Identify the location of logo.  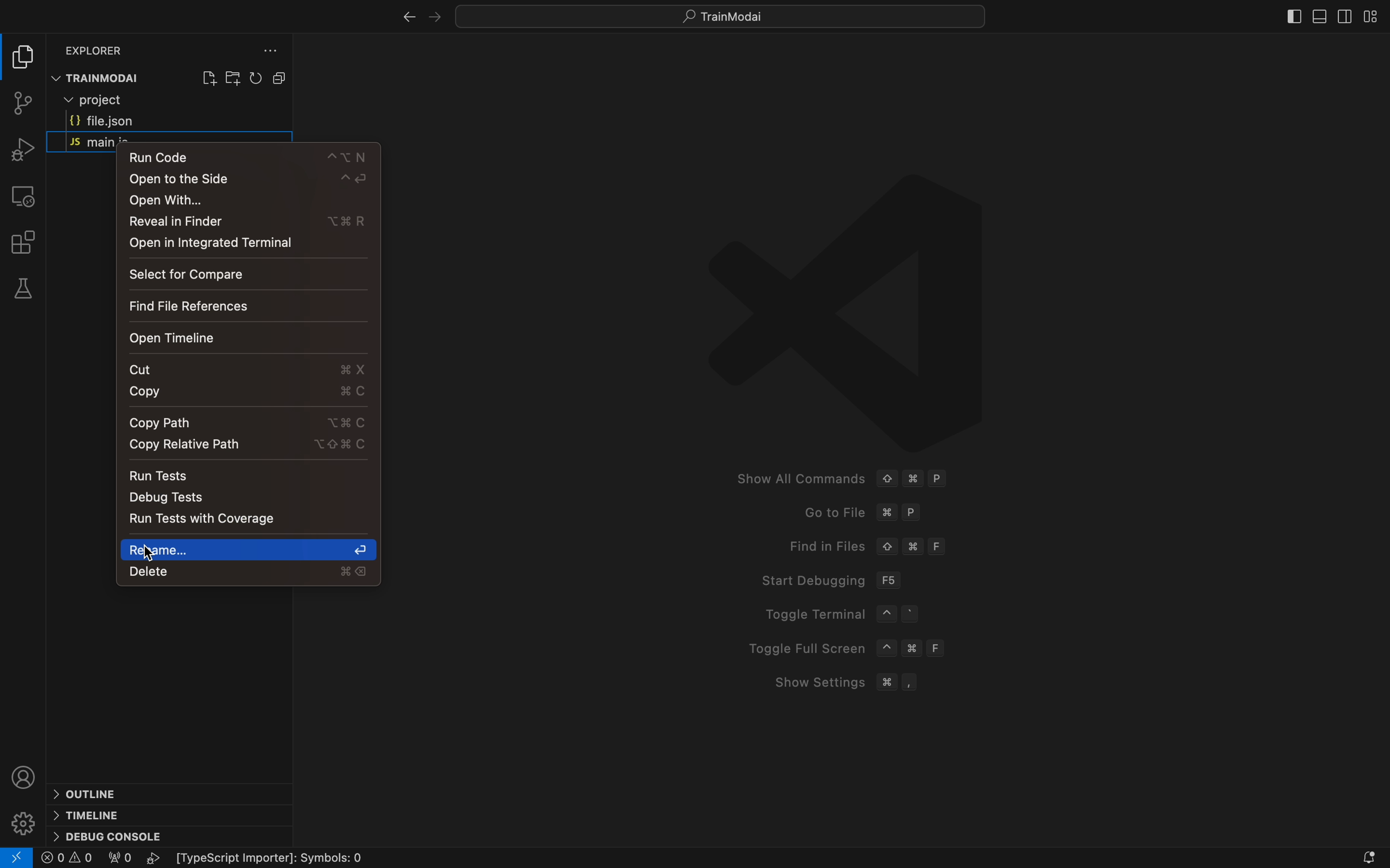
(848, 307).